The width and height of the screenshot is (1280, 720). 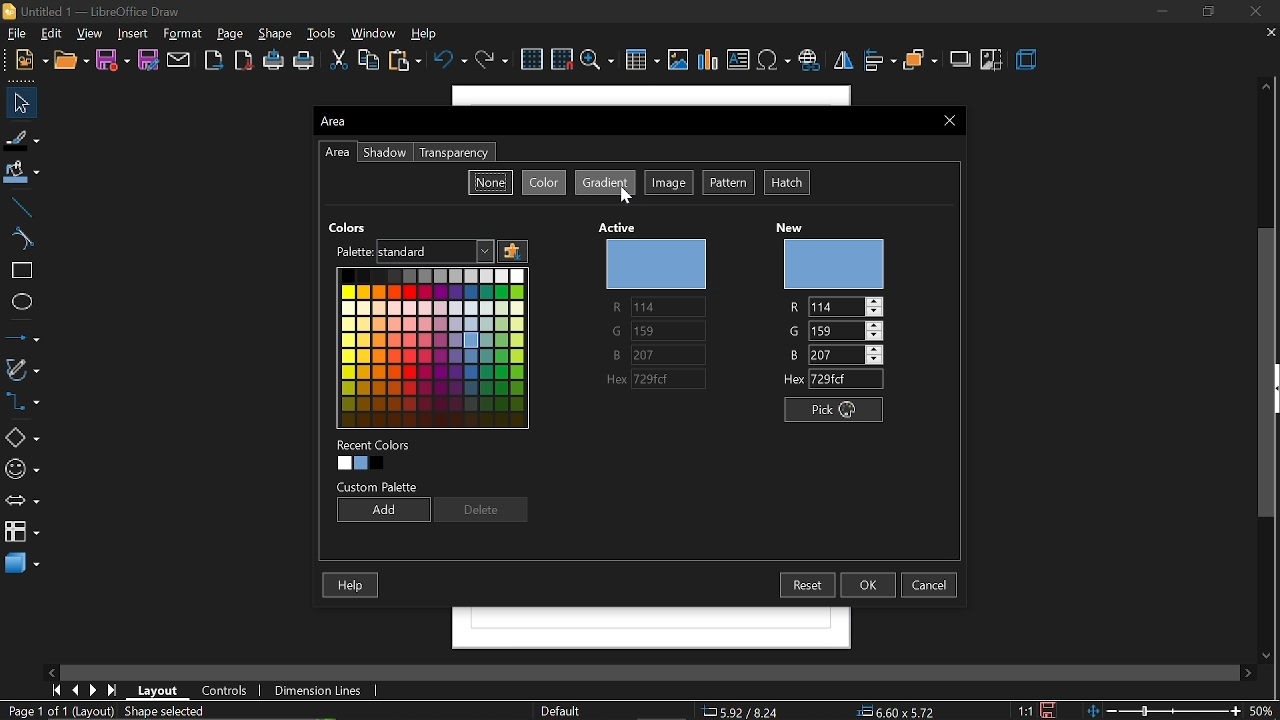 I want to click on next page, so click(x=94, y=689).